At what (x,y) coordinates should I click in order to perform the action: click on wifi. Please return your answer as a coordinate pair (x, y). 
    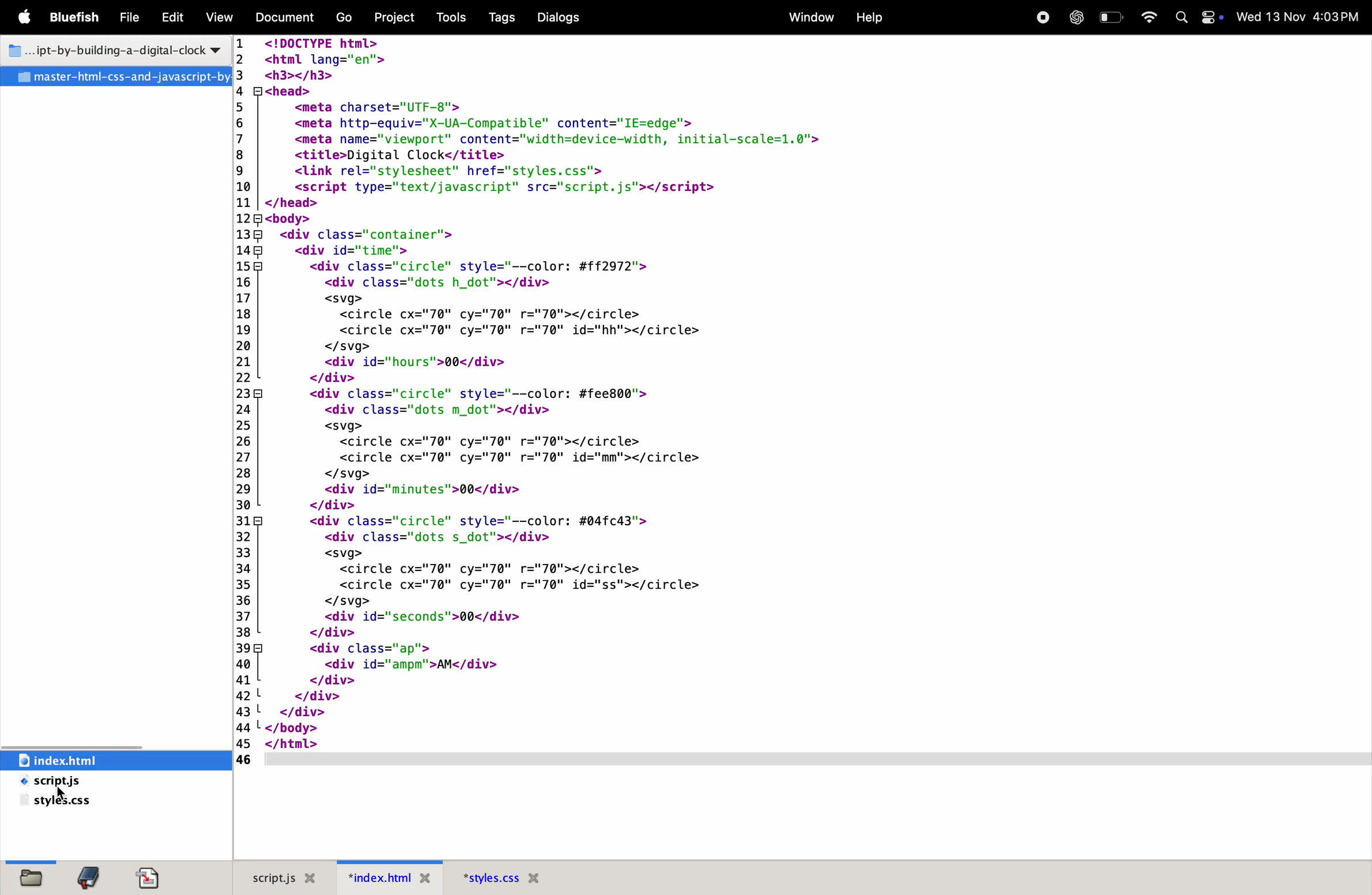
    Looking at the image, I should click on (1148, 18).